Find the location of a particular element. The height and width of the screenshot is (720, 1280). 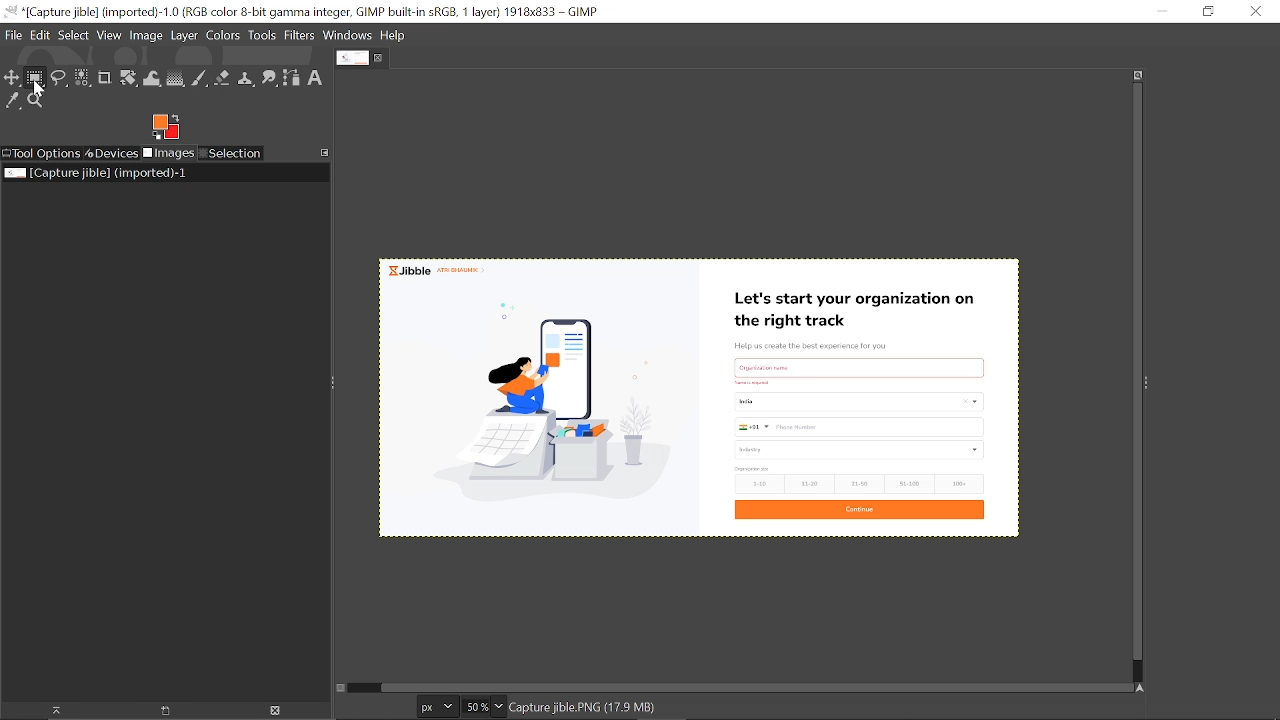

Close tab is located at coordinates (381, 58).